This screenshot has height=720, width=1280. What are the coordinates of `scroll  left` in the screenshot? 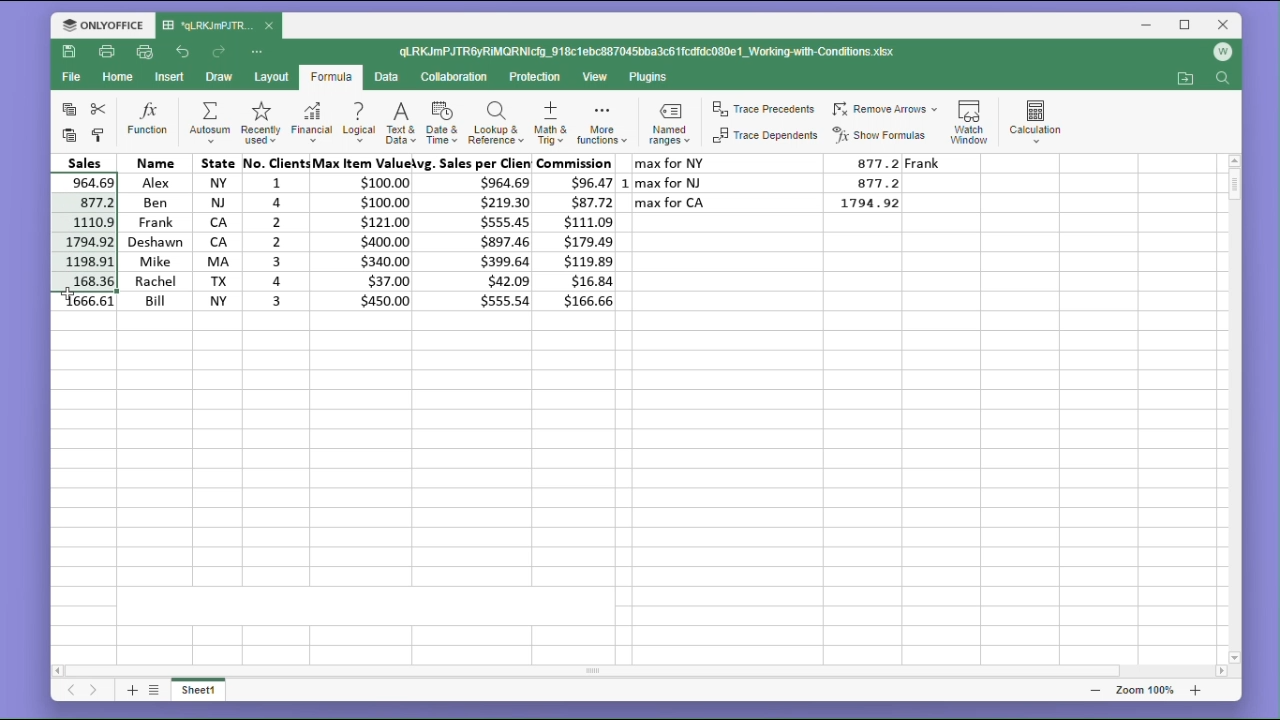 It's located at (59, 668).